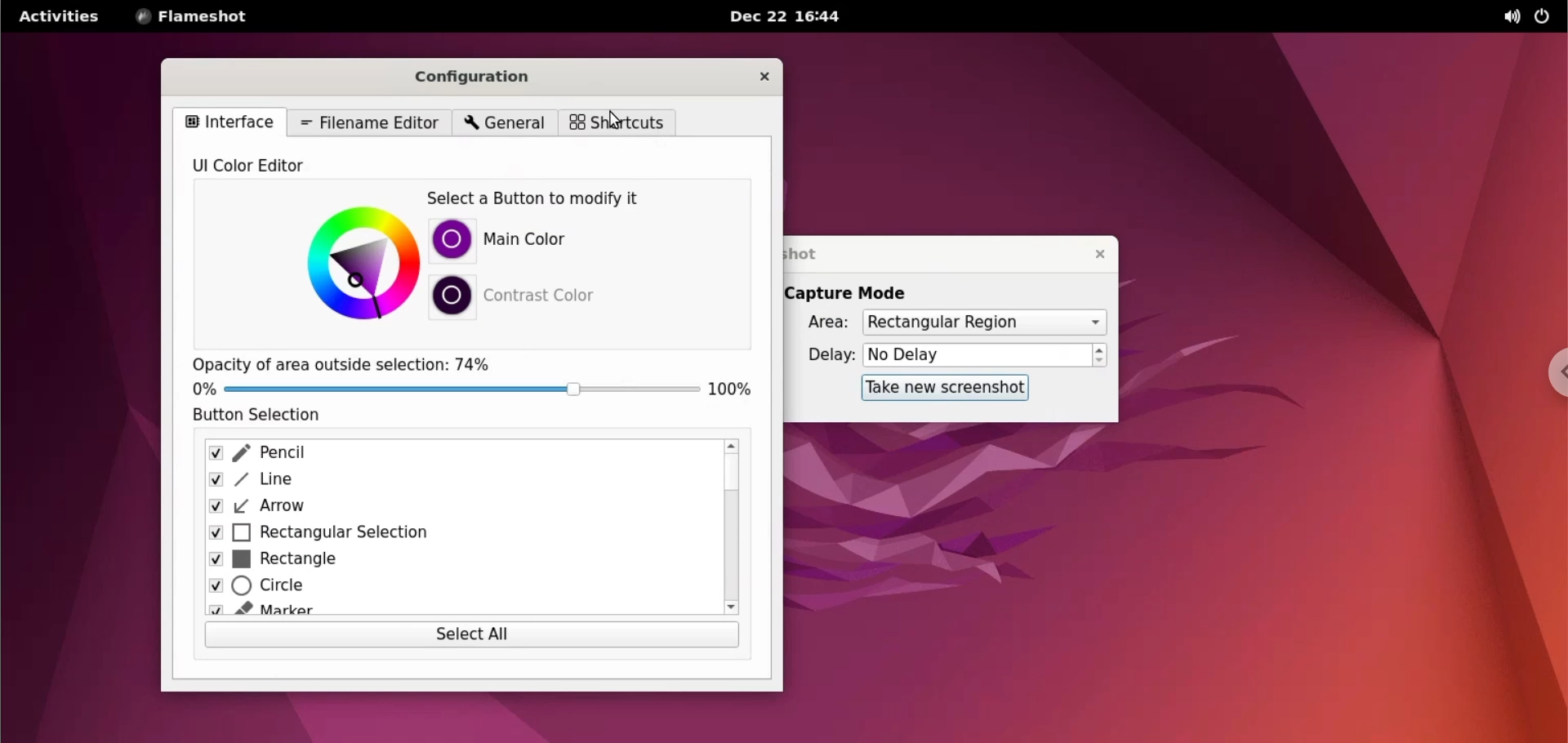 The width and height of the screenshot is (1568, 743). What do you see at coordinates (458, 507) in the screenshot?
I see `arrow checkbox` at bounding box center [458, 507].